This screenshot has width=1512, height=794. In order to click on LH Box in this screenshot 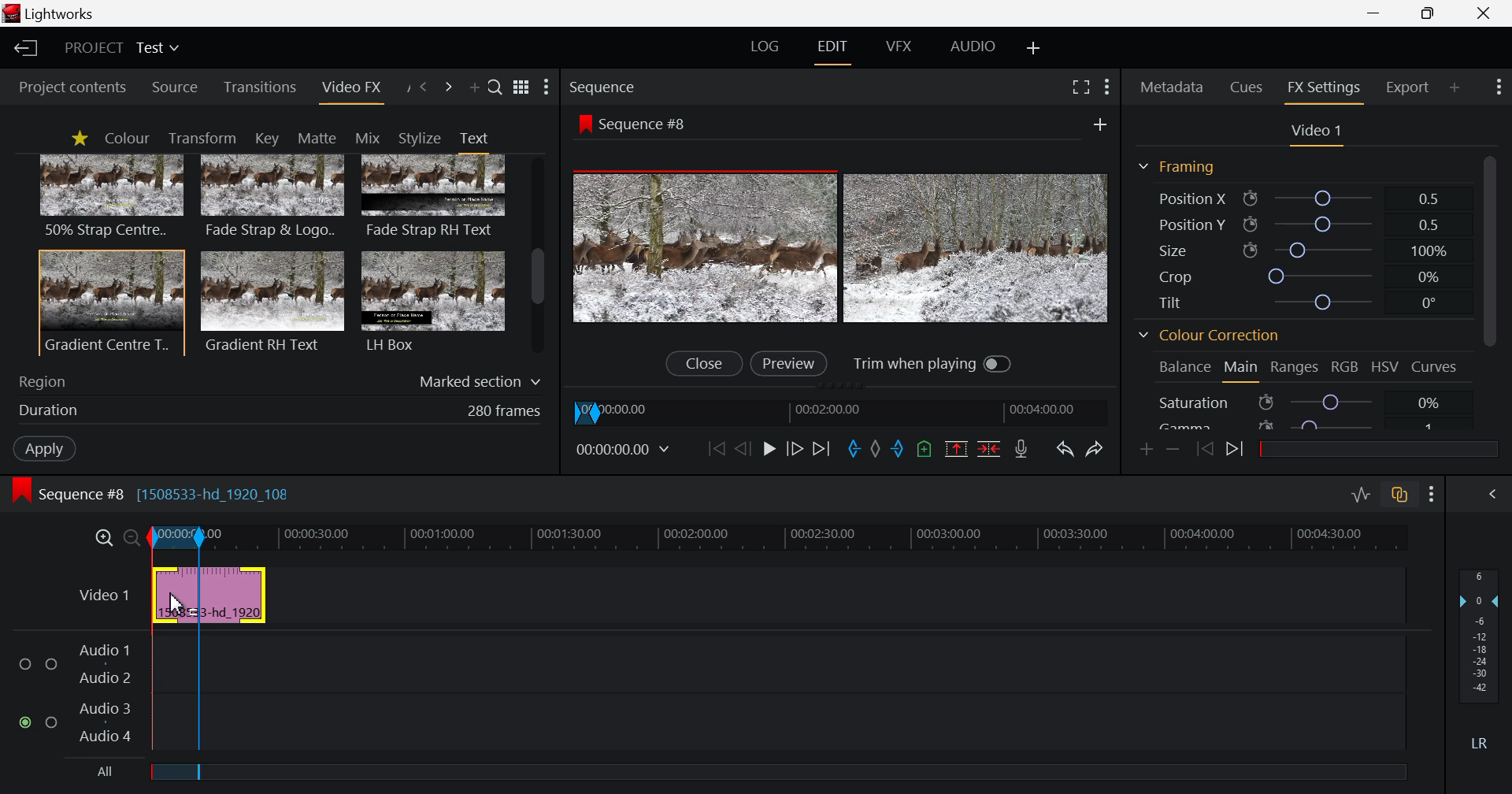, I will do `click(432, 301)`.